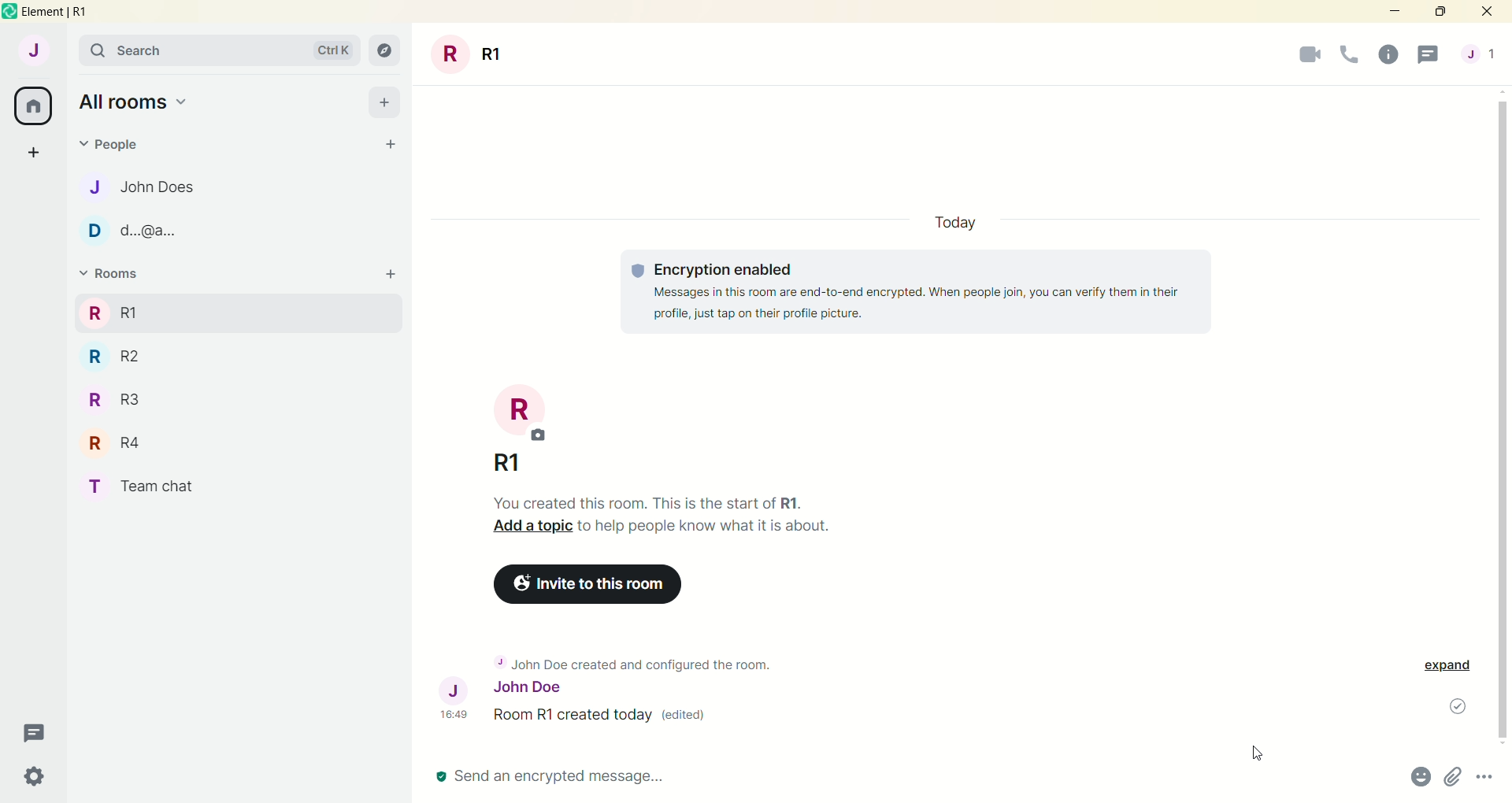 This screenshot has width=1512, height=803. I want to click on send message, so click(577, 775).